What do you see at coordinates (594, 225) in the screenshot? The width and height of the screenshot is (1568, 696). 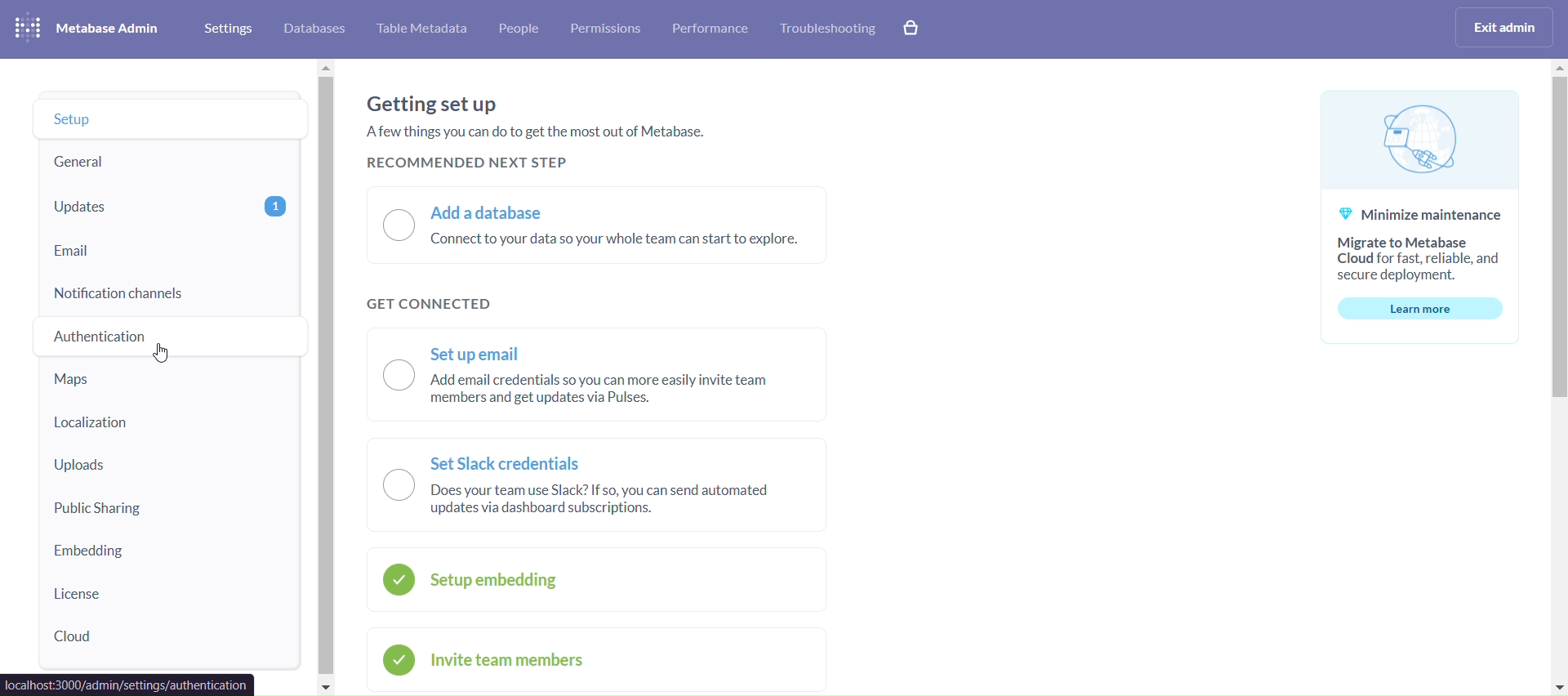 I see `add a database` at bounding box center [594, 225].